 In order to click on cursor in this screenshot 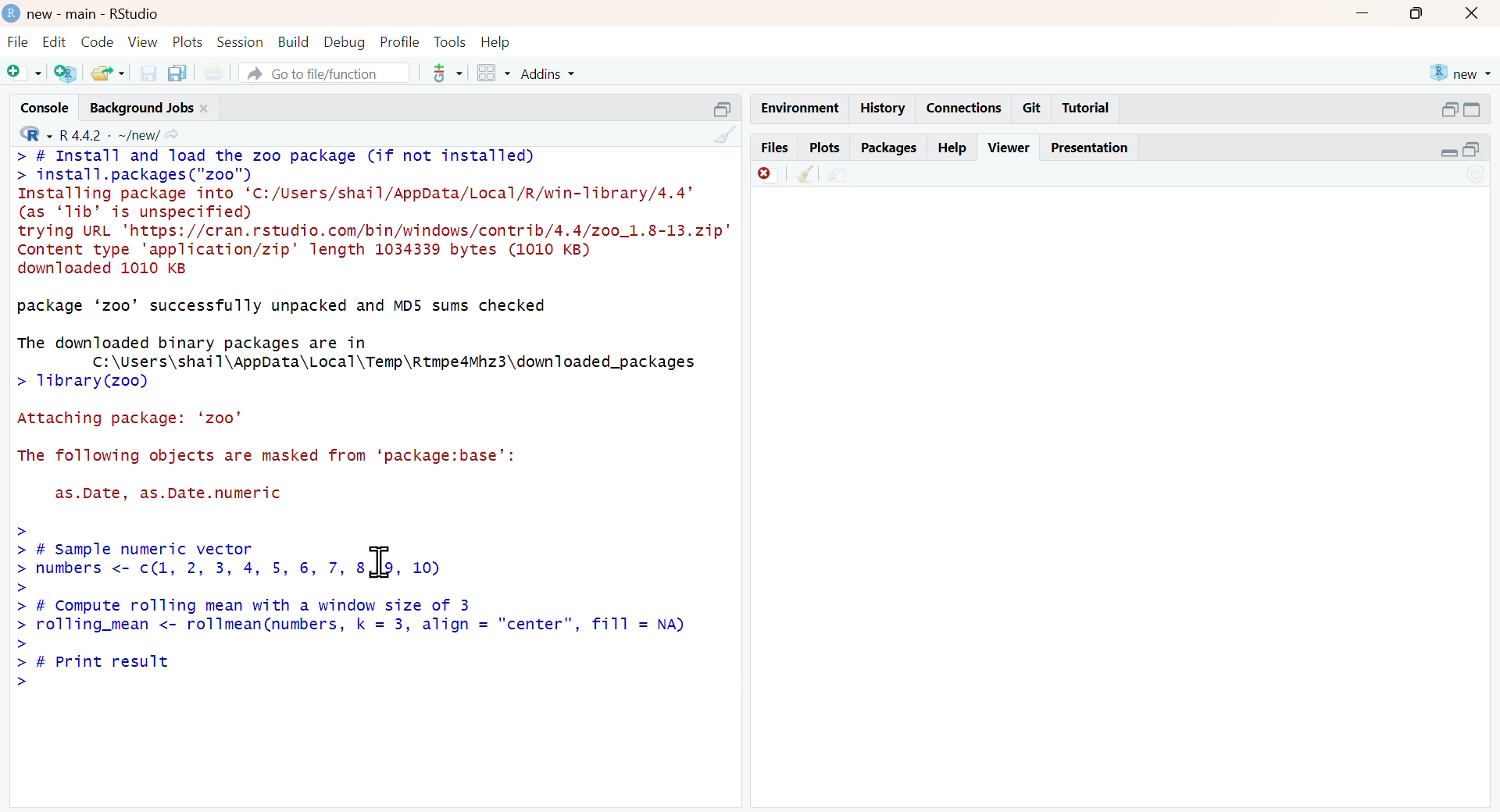, I will do `click(380, 563)`.